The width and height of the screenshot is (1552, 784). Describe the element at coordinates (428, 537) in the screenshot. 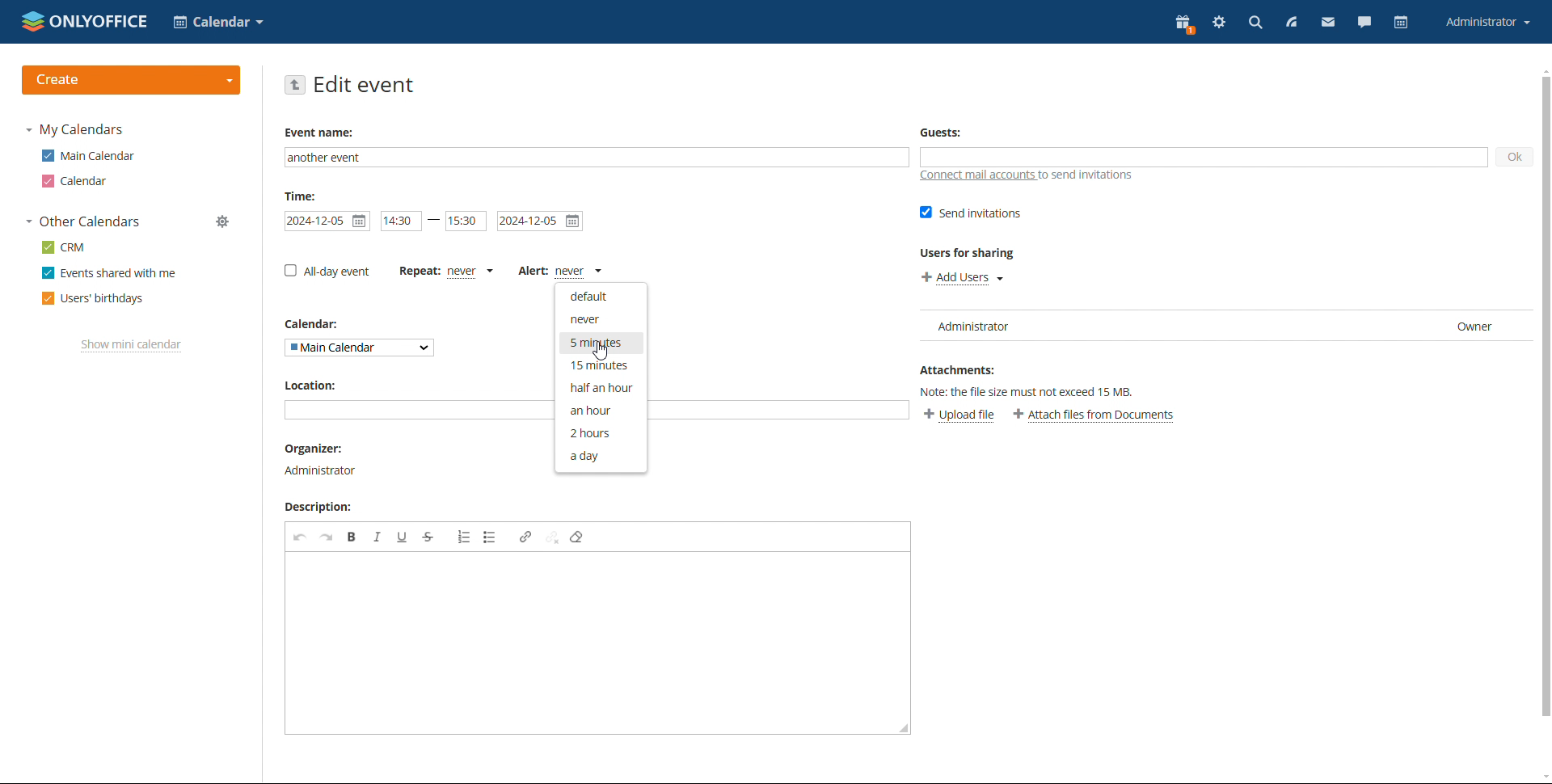

I see `strikethrough` at that location.